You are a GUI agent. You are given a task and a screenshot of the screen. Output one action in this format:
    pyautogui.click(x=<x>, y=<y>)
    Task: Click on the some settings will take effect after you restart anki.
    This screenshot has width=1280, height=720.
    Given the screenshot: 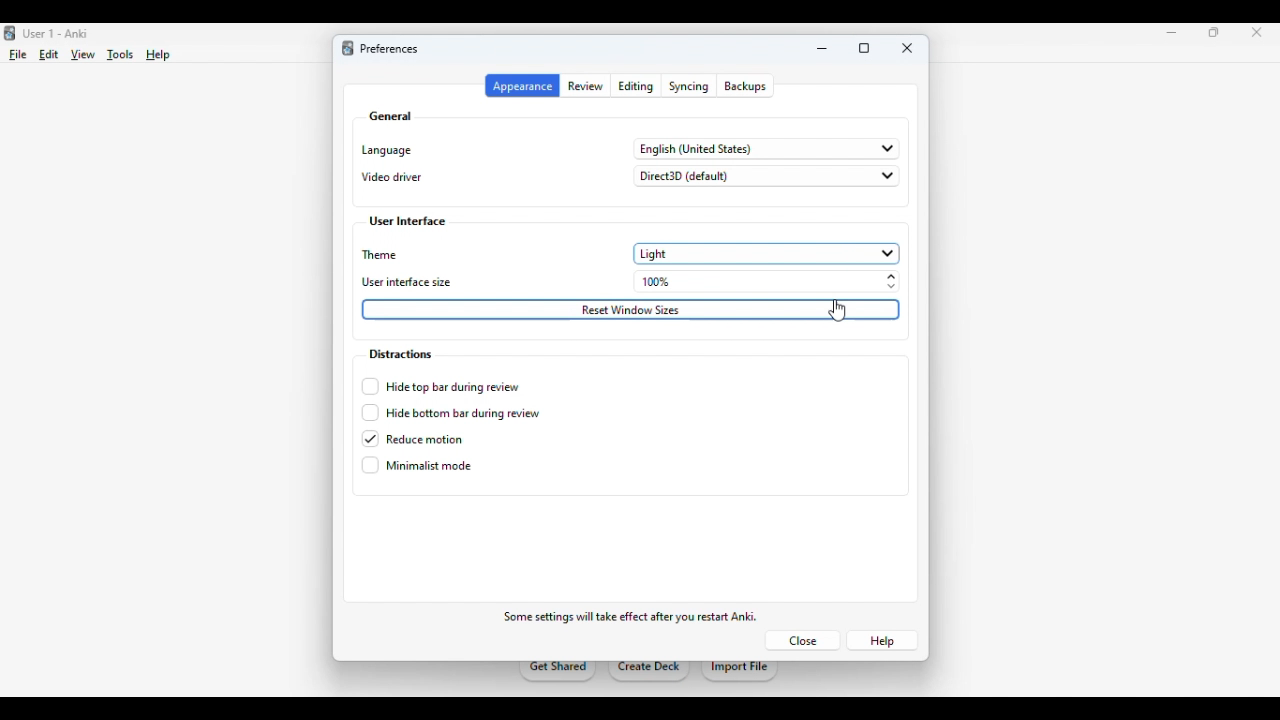 What is the action you would take?
    pyautogui.click(x=630, y=616)
    